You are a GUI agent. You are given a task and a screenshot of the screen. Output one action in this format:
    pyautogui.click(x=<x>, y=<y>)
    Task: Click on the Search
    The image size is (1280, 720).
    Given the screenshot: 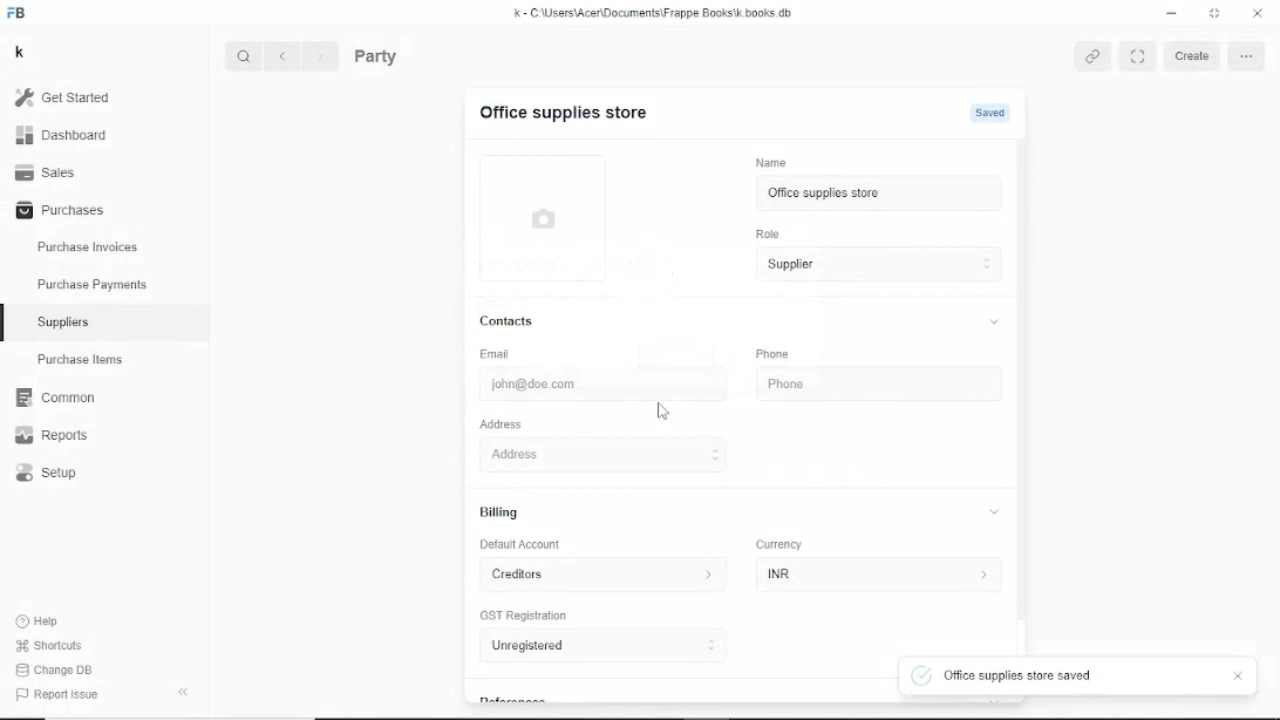 What is the action you would take?
    pyautogui.click(x=244, y=56)
    